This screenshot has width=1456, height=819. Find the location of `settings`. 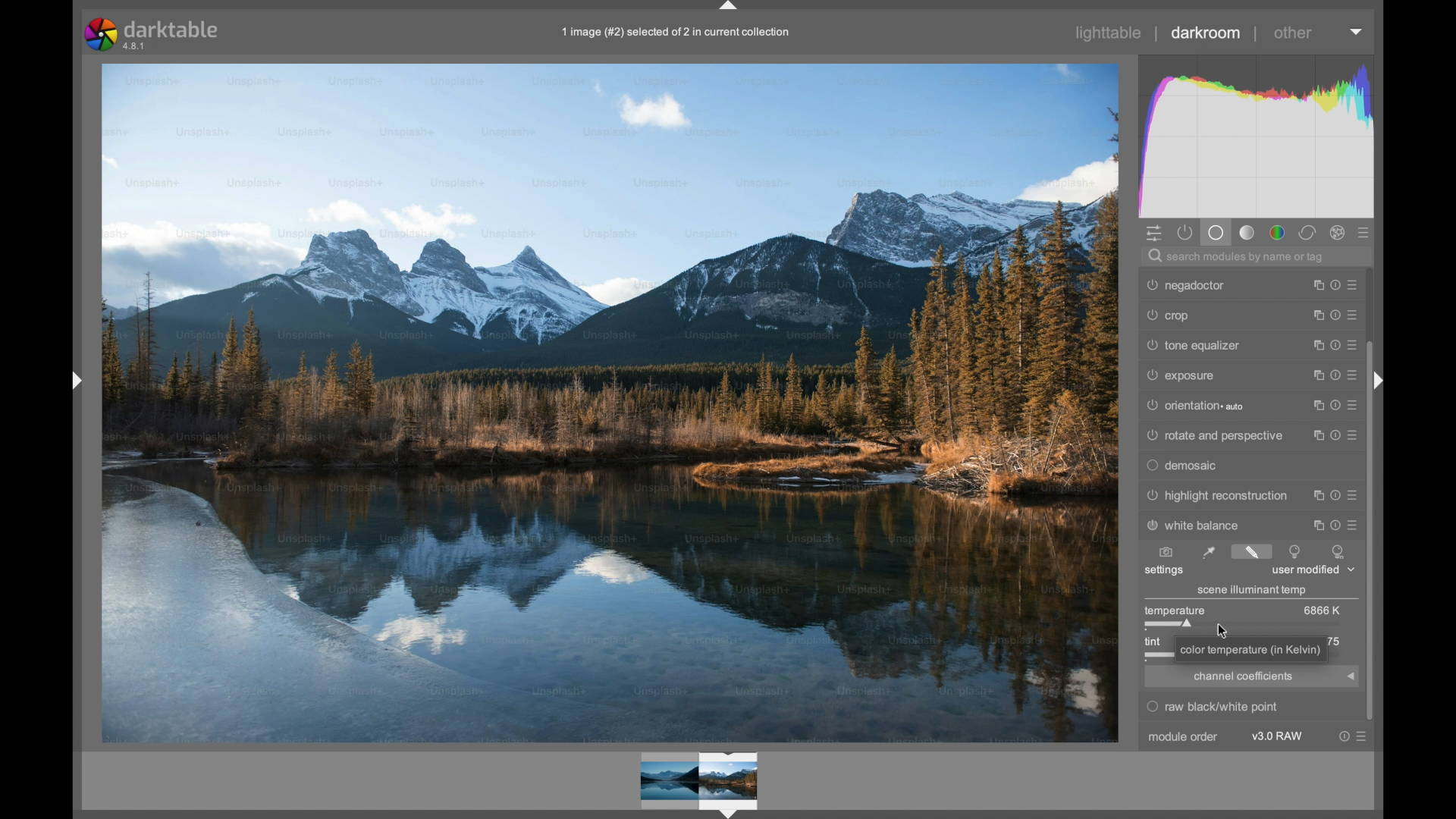

settings is located at coordinates (1164, 572).